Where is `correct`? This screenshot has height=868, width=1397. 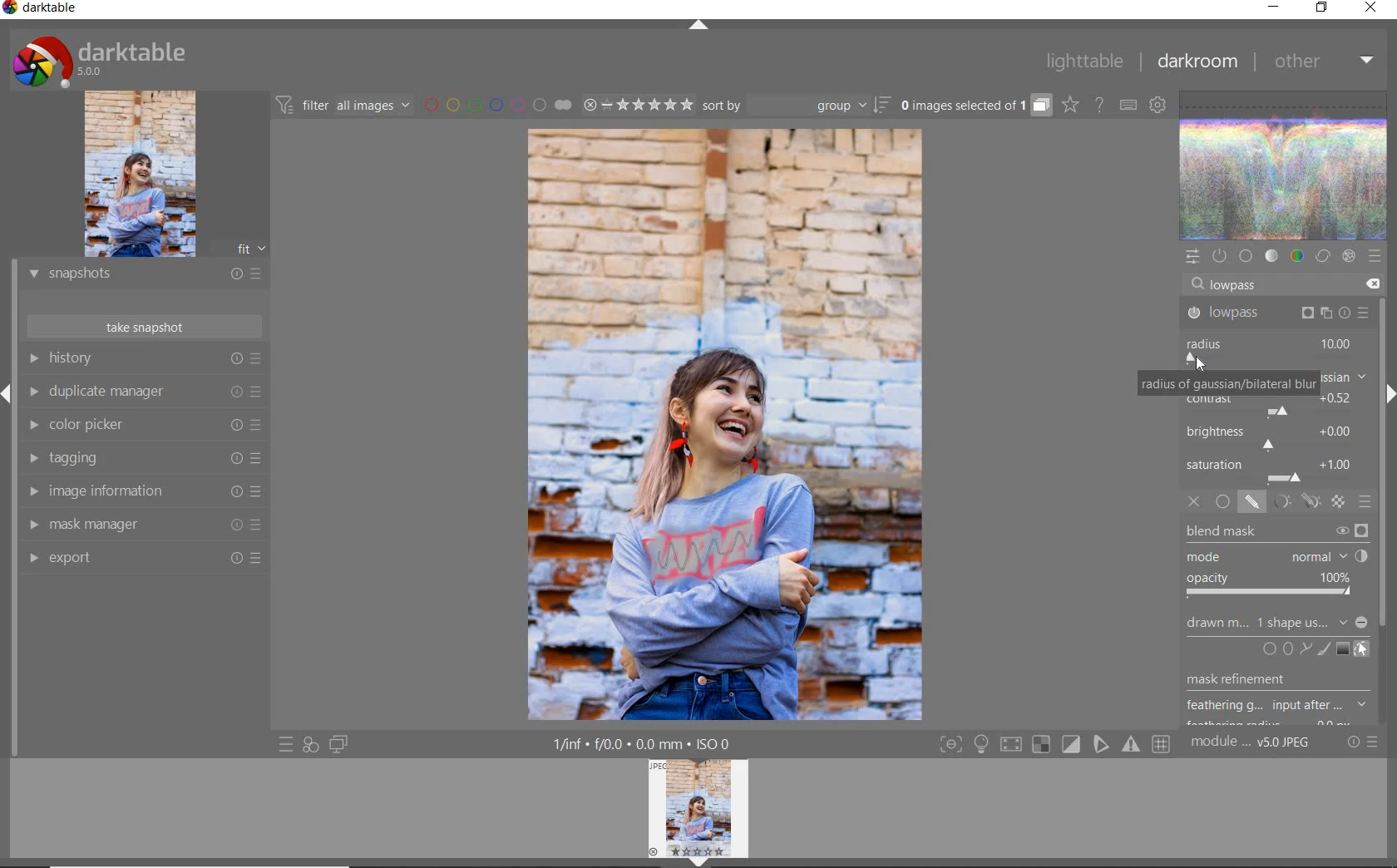
correct is located at coordinates (1322, 257).